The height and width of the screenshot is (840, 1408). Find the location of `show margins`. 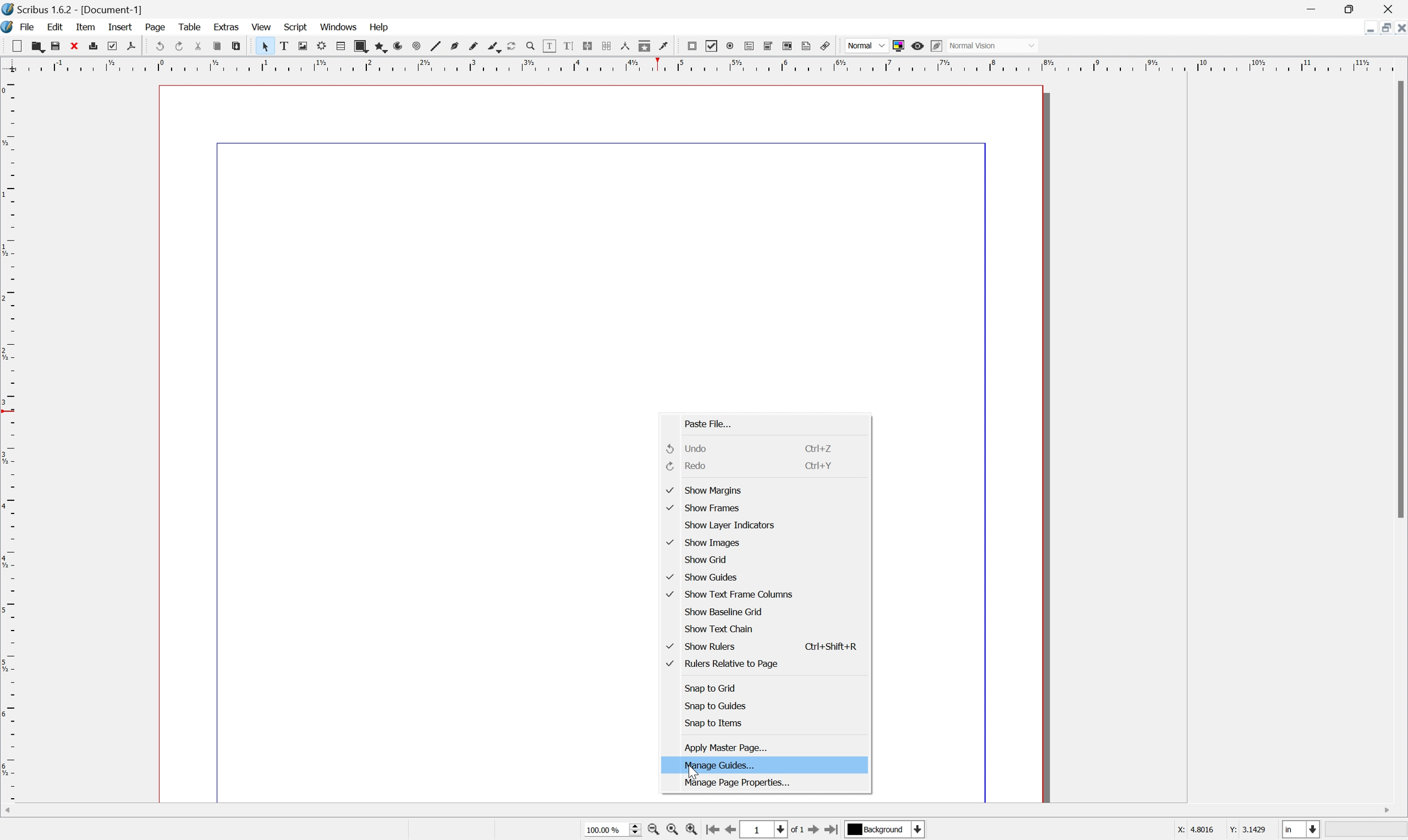

show margins is located at coordinates (704, 490).